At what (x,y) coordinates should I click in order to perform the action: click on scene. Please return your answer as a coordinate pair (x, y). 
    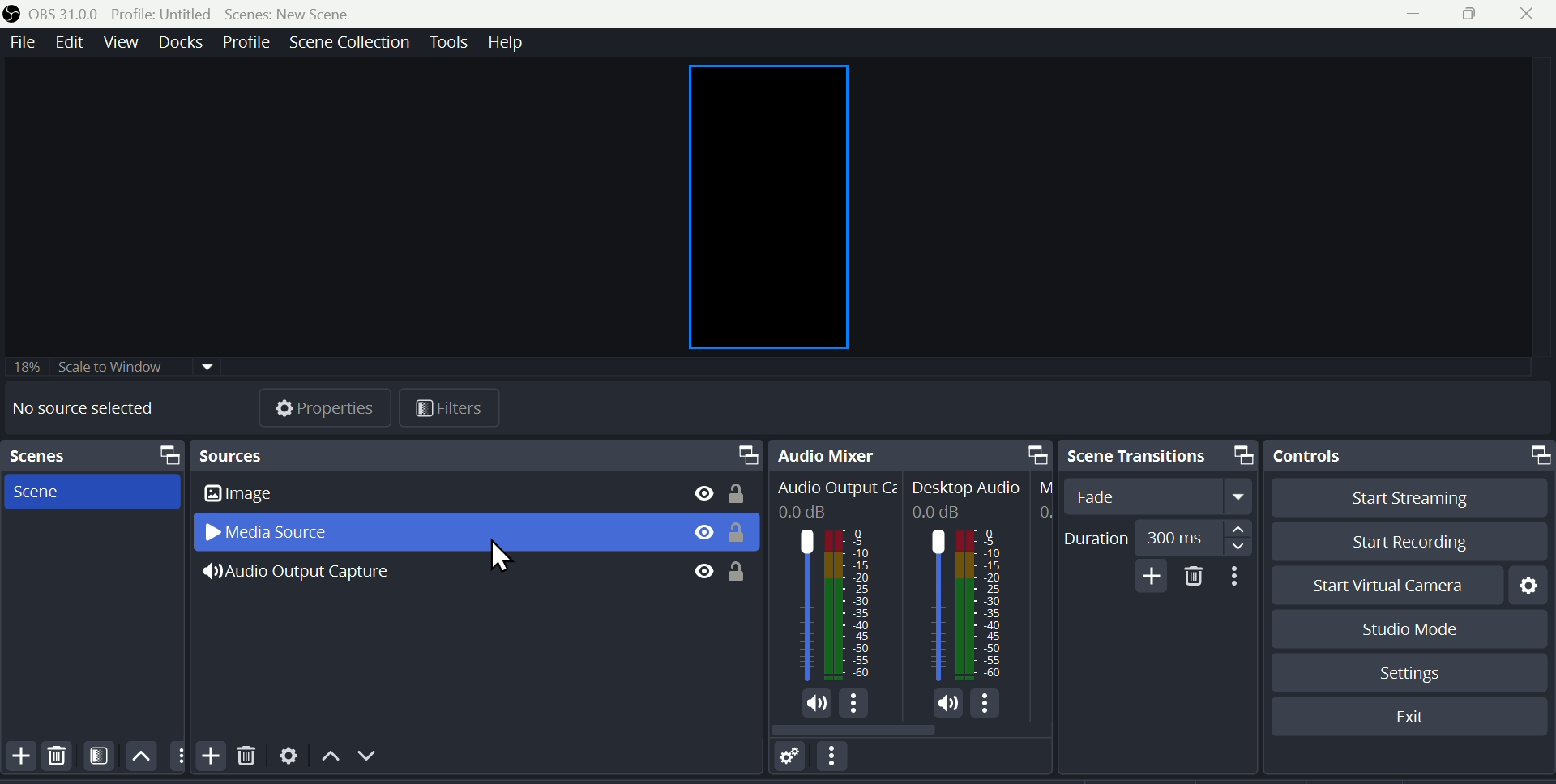
    Looking at the image, I should click on (47, 490).